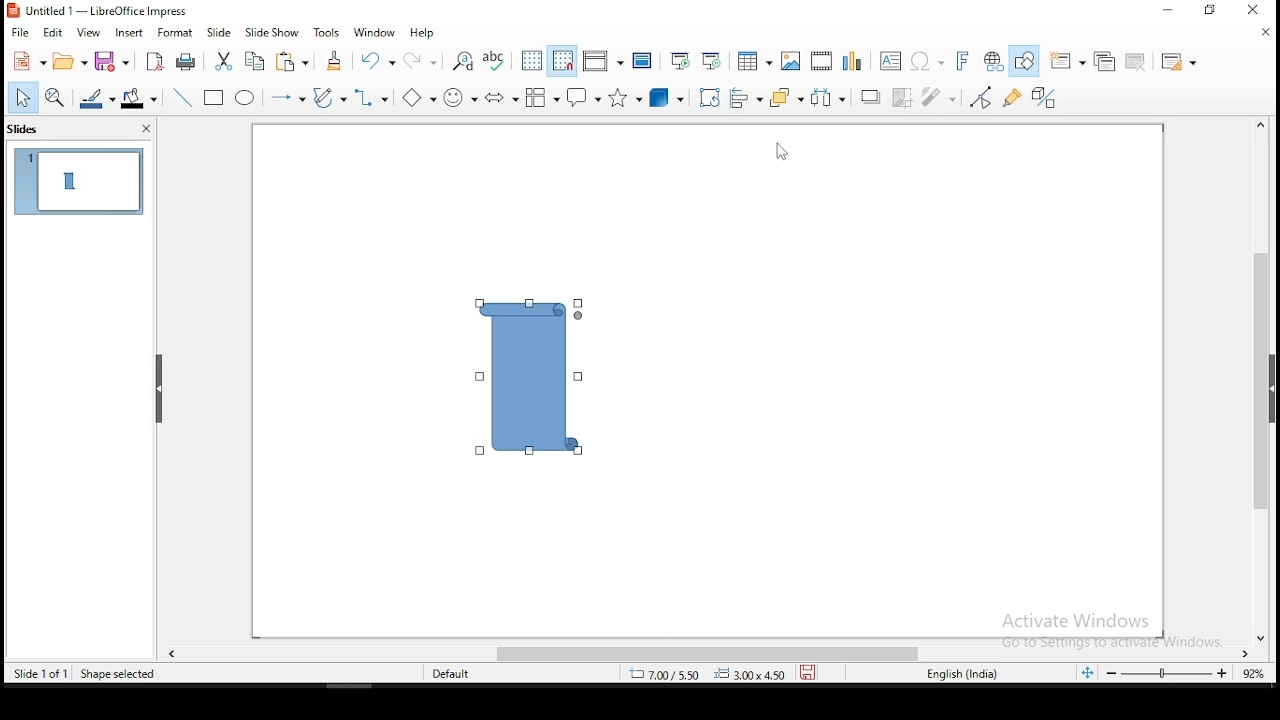 This screenshot has width=1280, height=720. What do you see at coordinates (295, 62) in the screenshot?
I see `paste` at bounding box center [295, 62].